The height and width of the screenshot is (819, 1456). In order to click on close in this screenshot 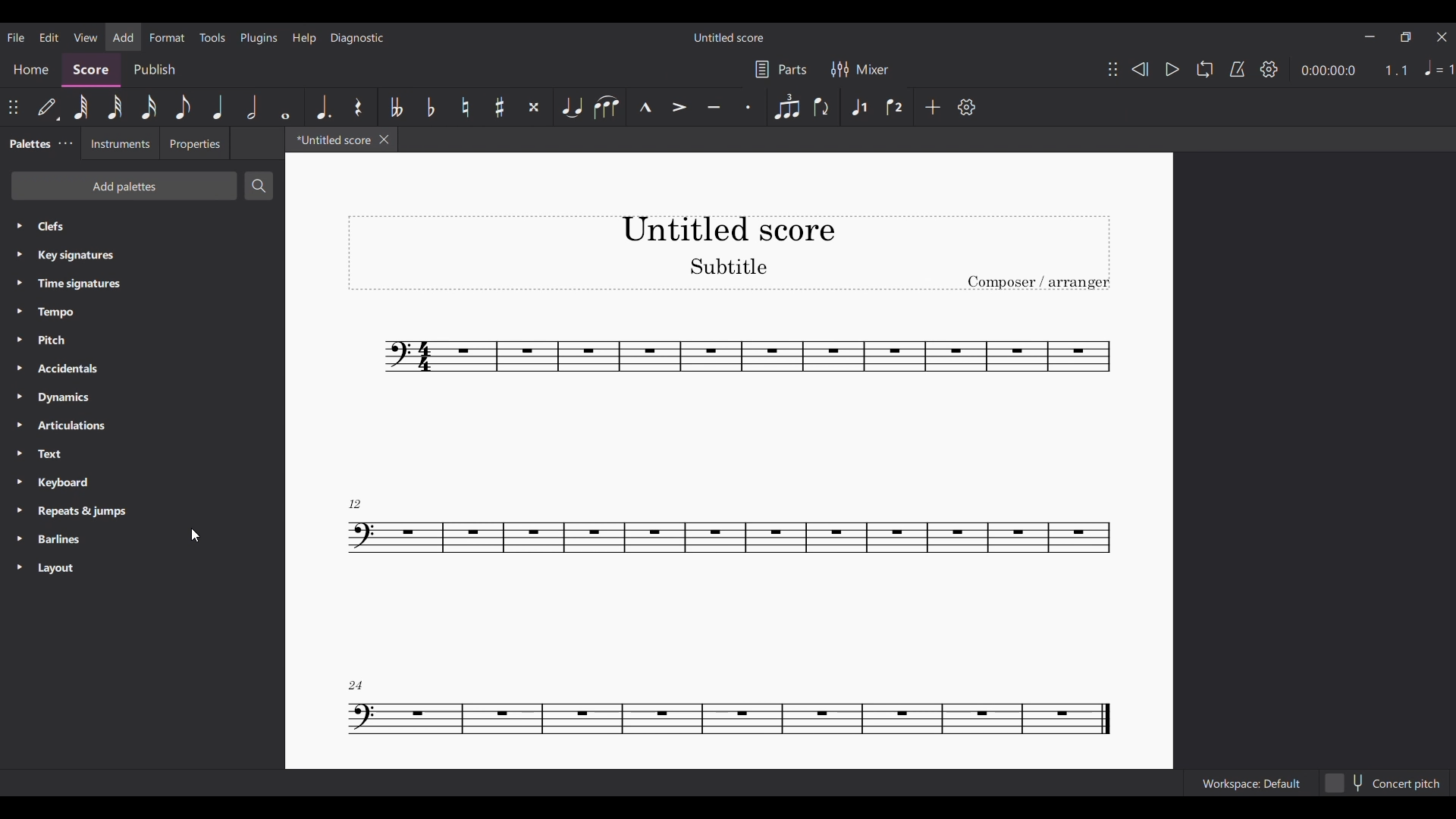, I will do `click(388, 142)`.